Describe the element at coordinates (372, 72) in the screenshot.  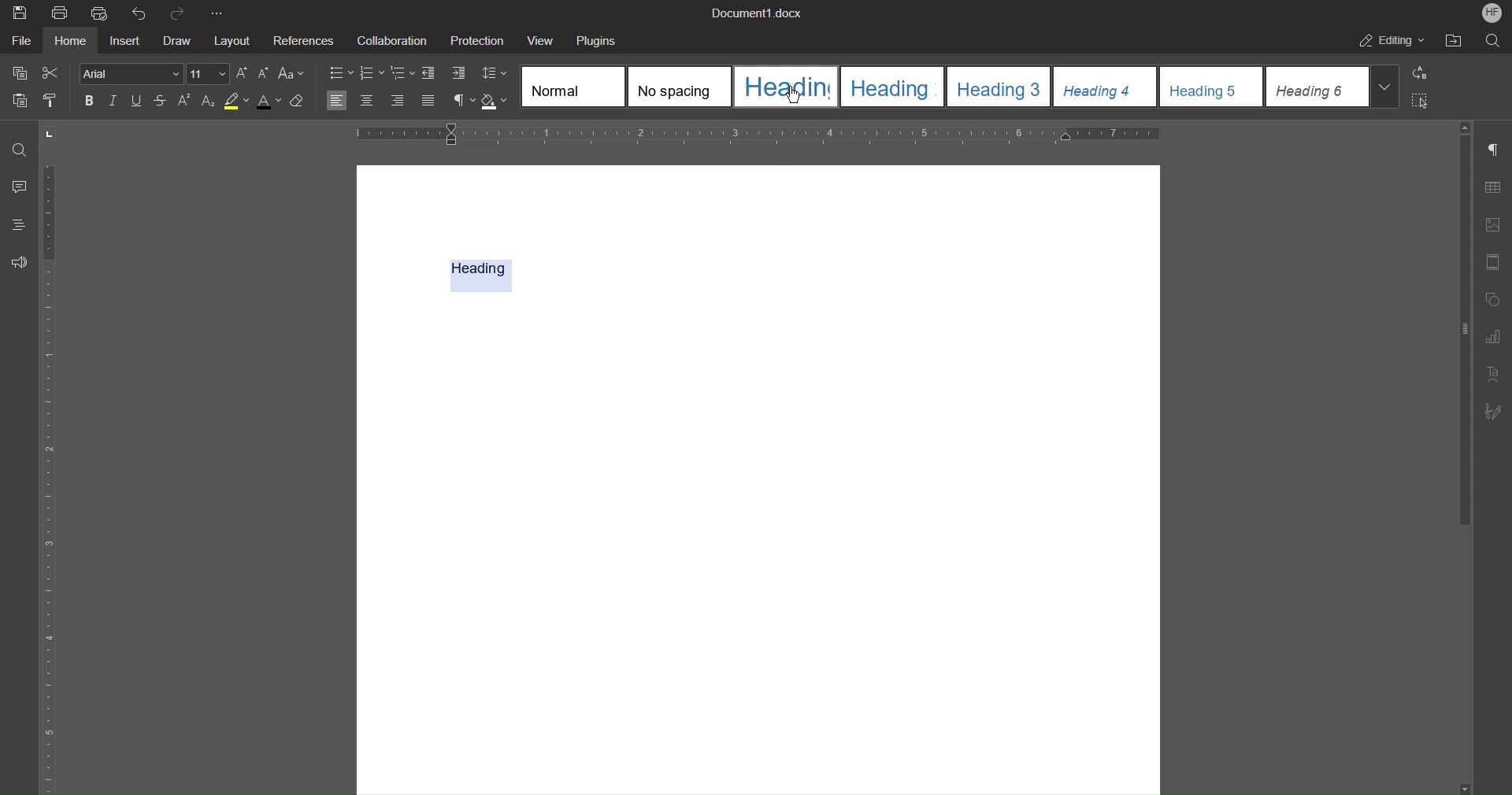
I see `Numbered List` at that location.